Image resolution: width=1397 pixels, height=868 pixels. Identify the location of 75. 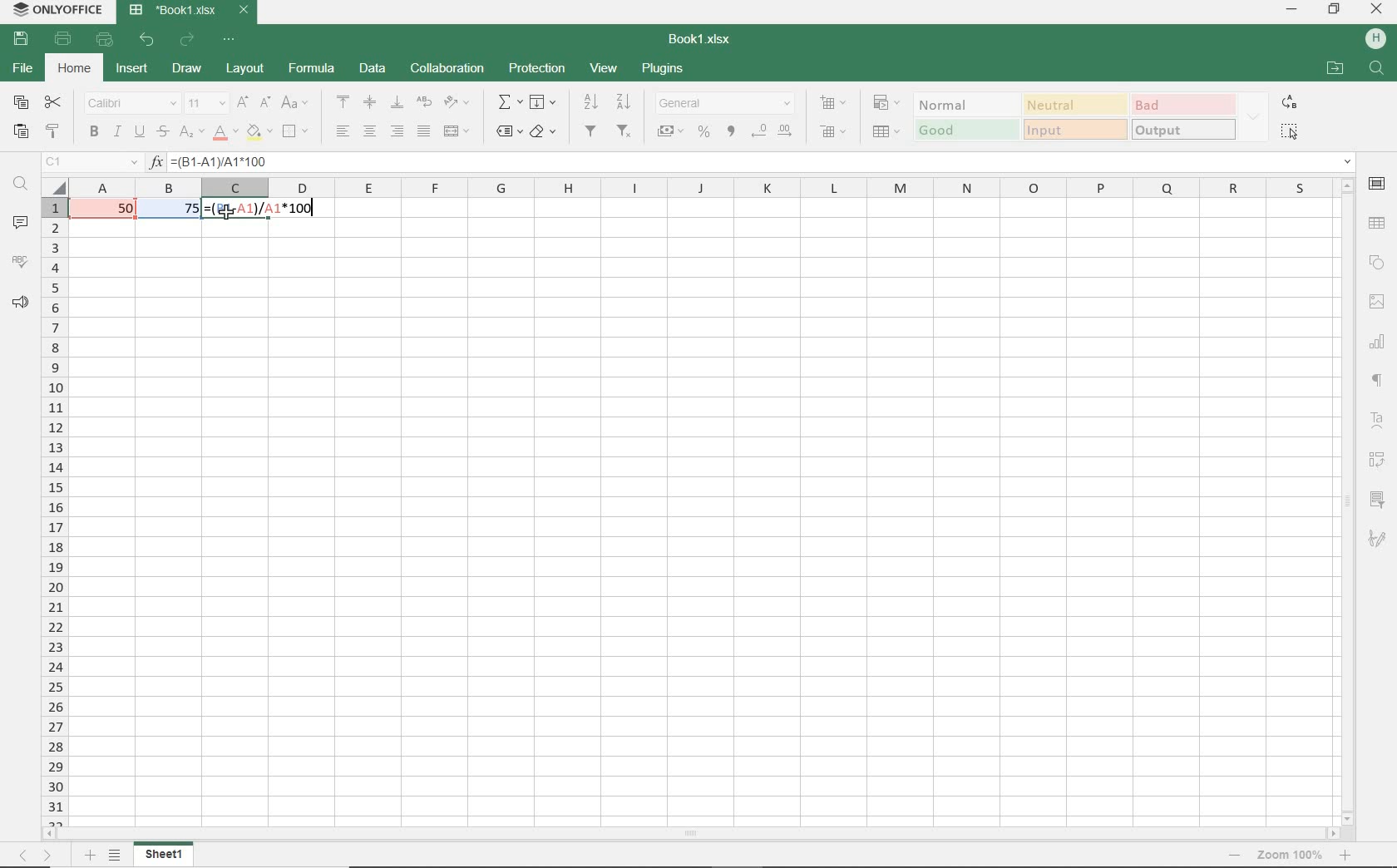
(185, 211).